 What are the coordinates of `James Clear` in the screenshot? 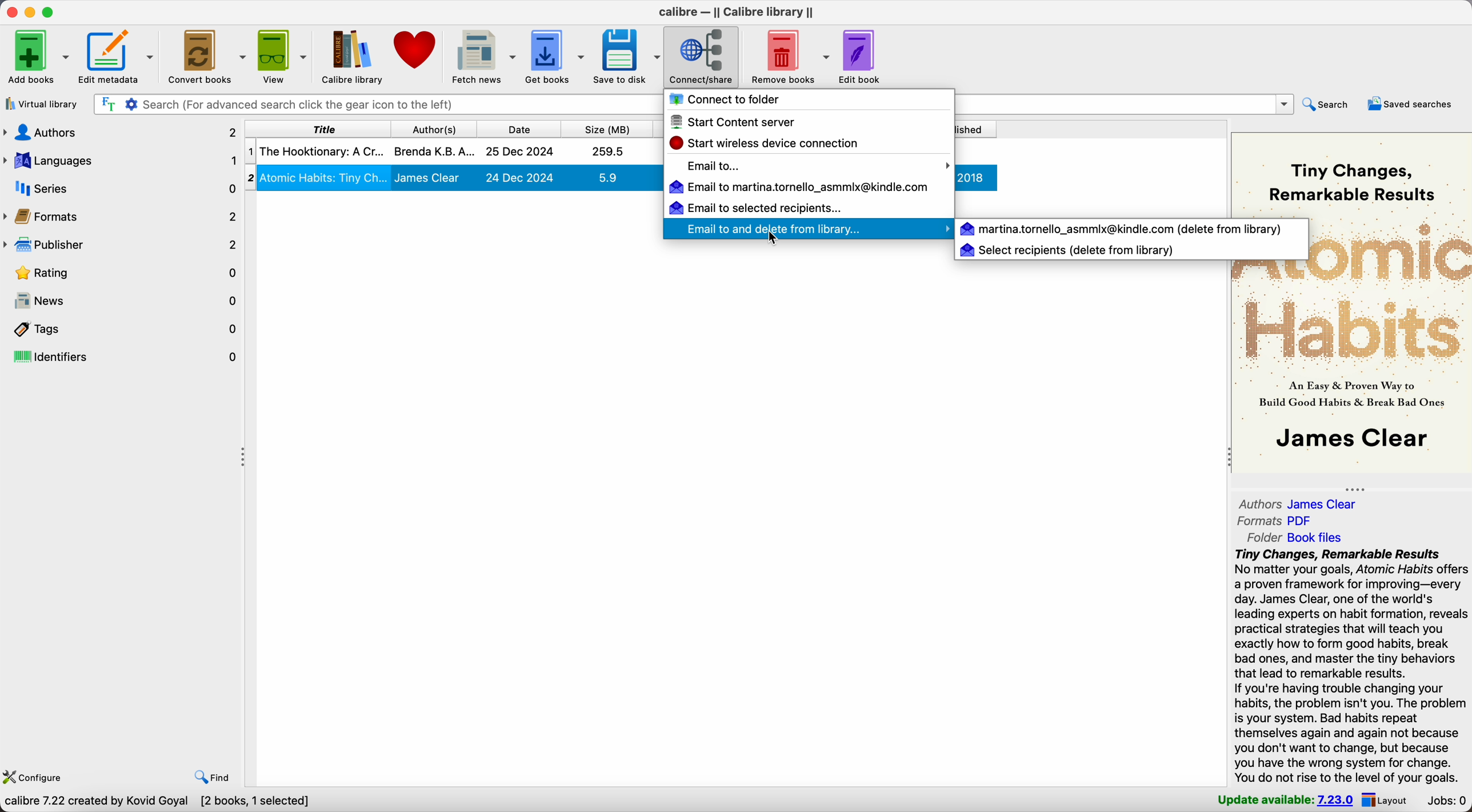 It's located at (428, 178).